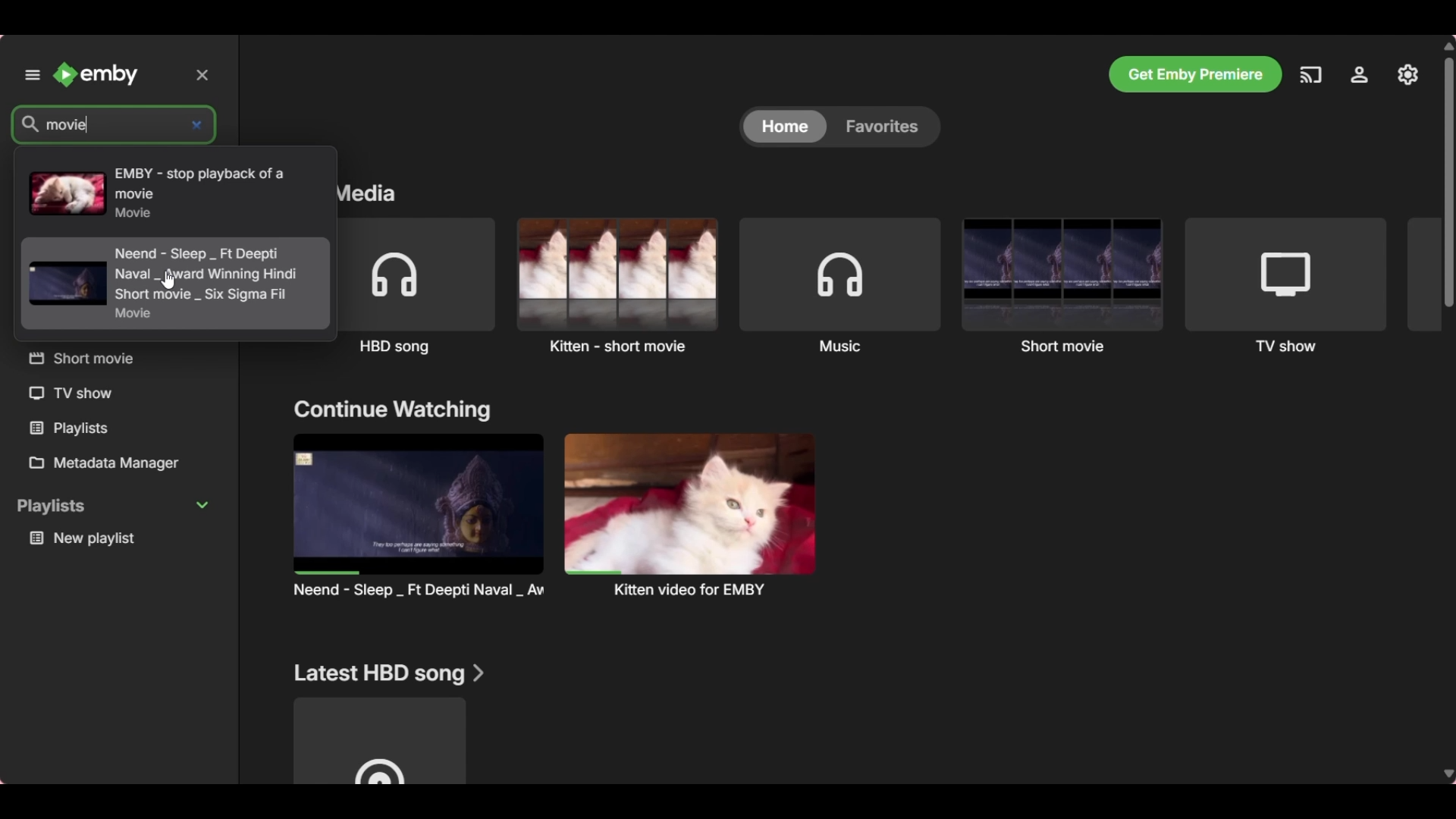 The image size is (1456, 819). I want to click on HBD song, so click(422, 285).